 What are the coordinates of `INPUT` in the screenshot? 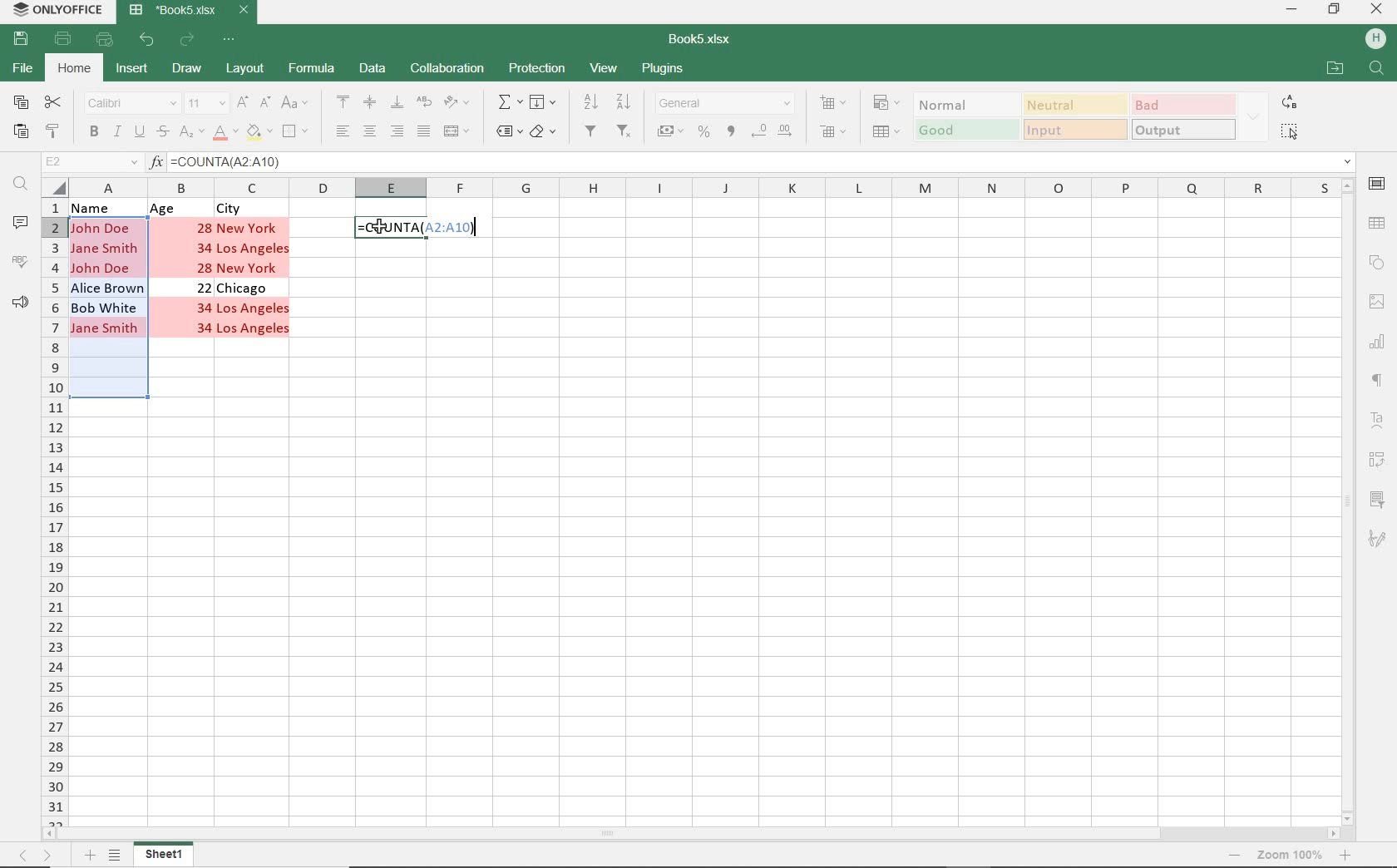 It's located at (1074, 129).